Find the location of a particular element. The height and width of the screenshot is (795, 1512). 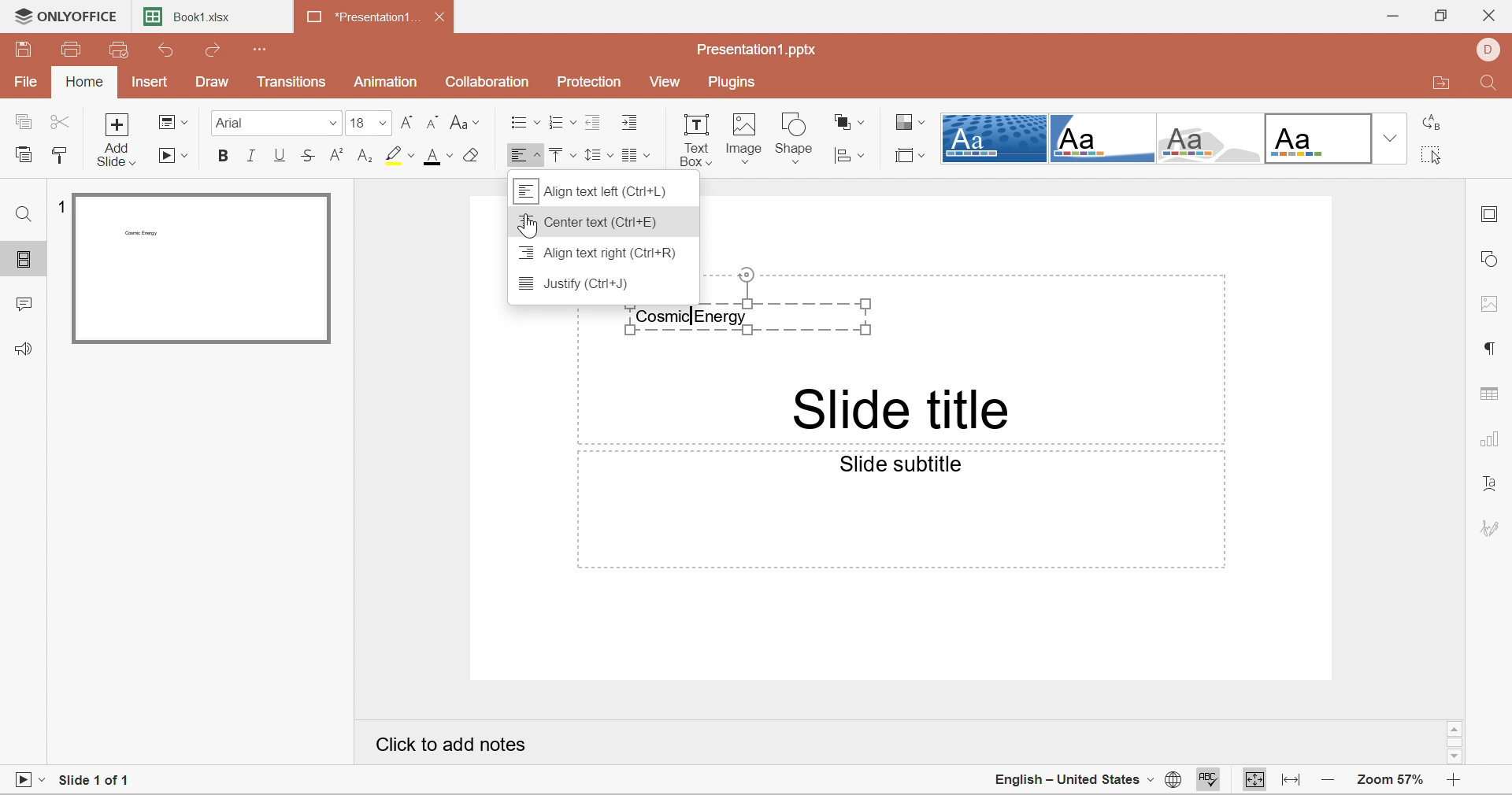

Strikethrough is located at coordinates (309, 159).